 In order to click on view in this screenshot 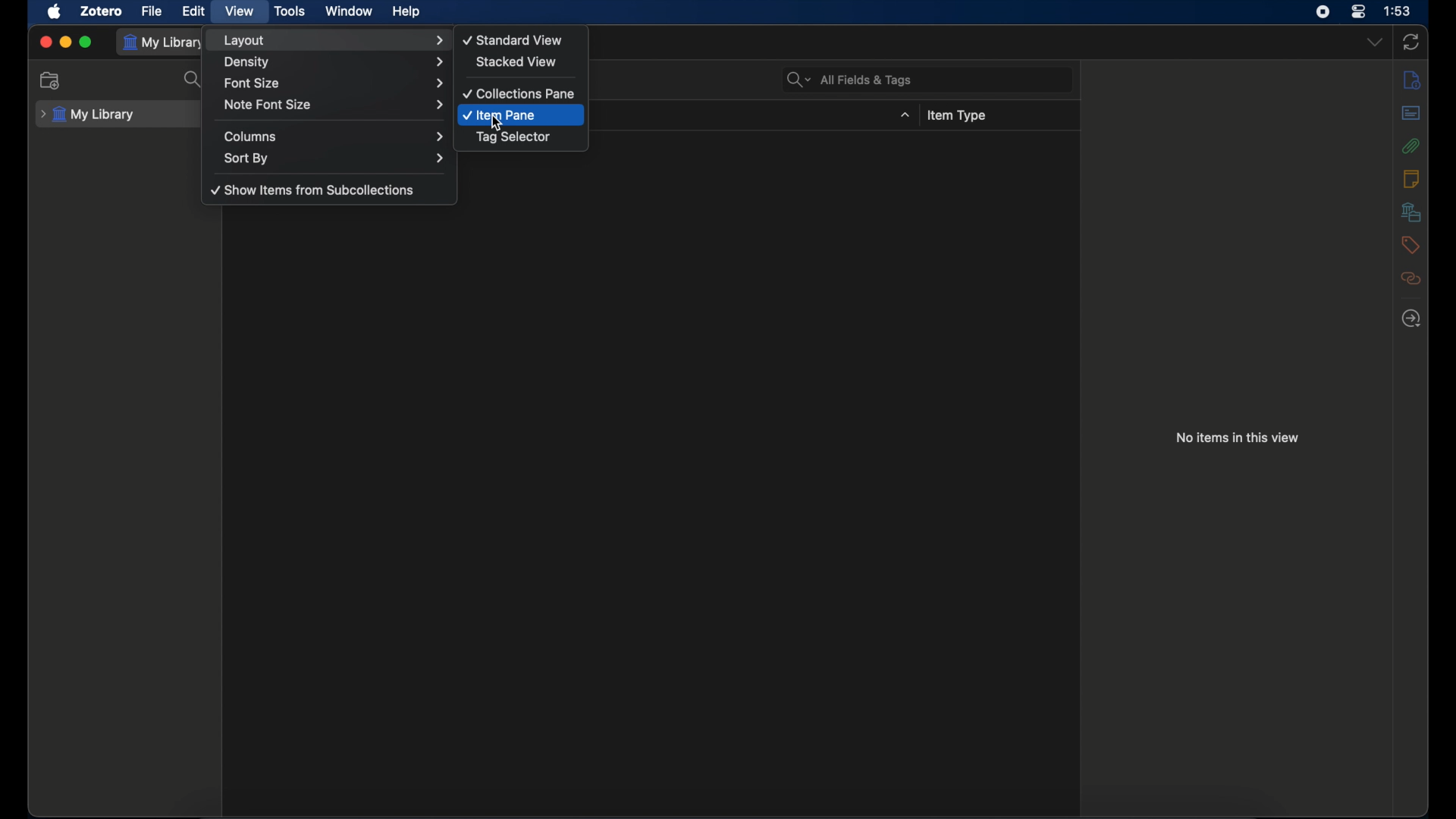, I will do `click(238, 11)`.